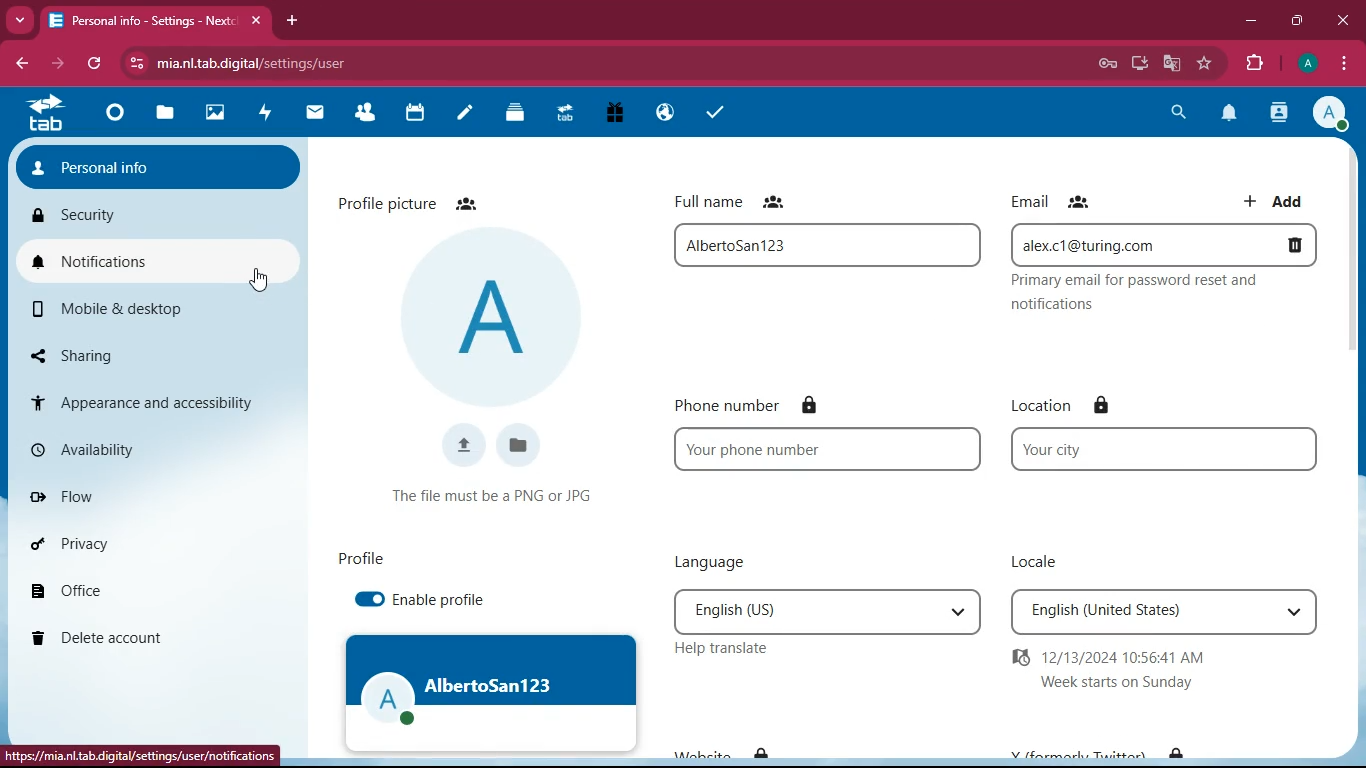 This screenshot has height=768, width=1366. Describe the element at coordinates (159, 354) in the screenshot. I see `sharing` at that location.